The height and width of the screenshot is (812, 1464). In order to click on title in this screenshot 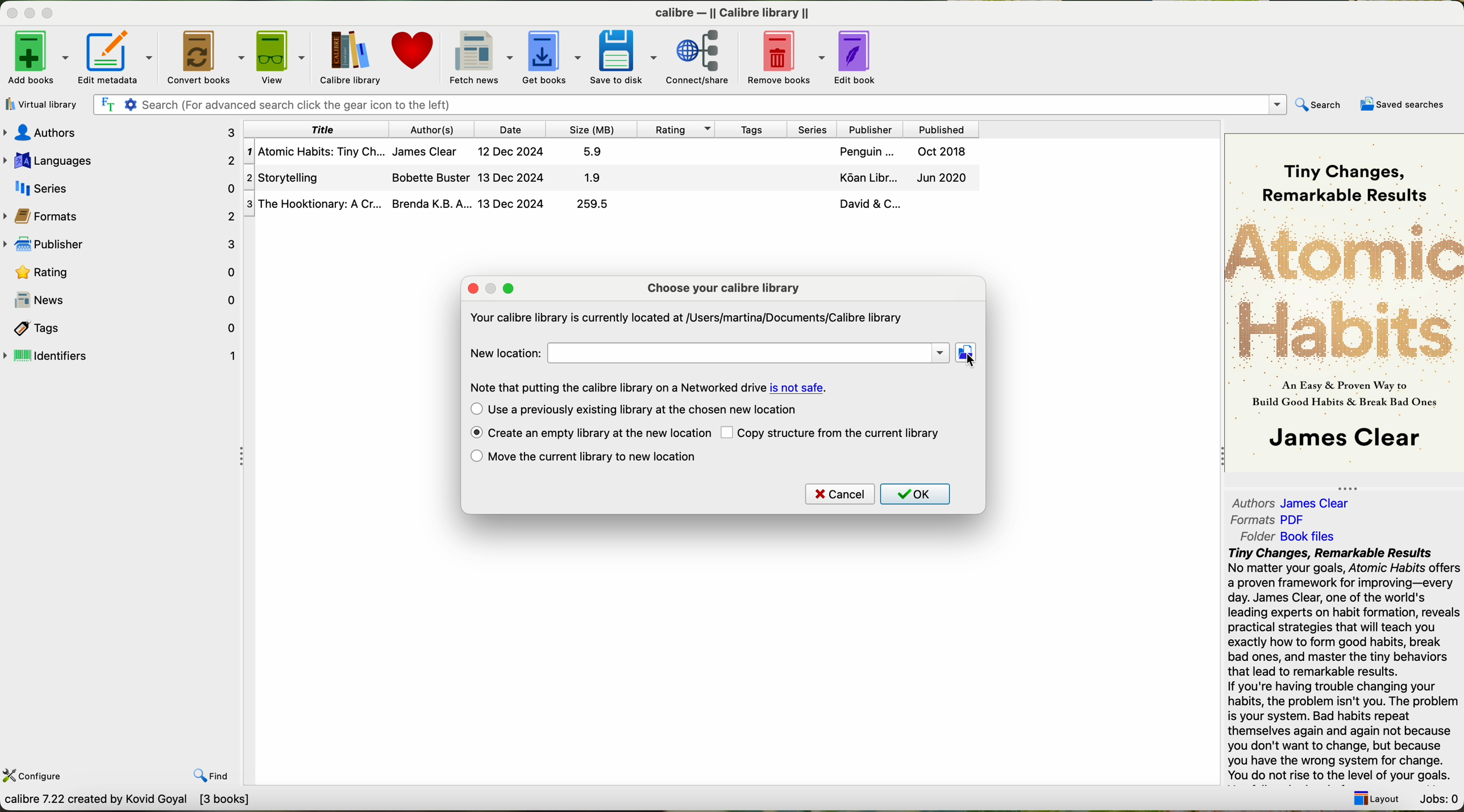, I will do `click(318, 129)`.